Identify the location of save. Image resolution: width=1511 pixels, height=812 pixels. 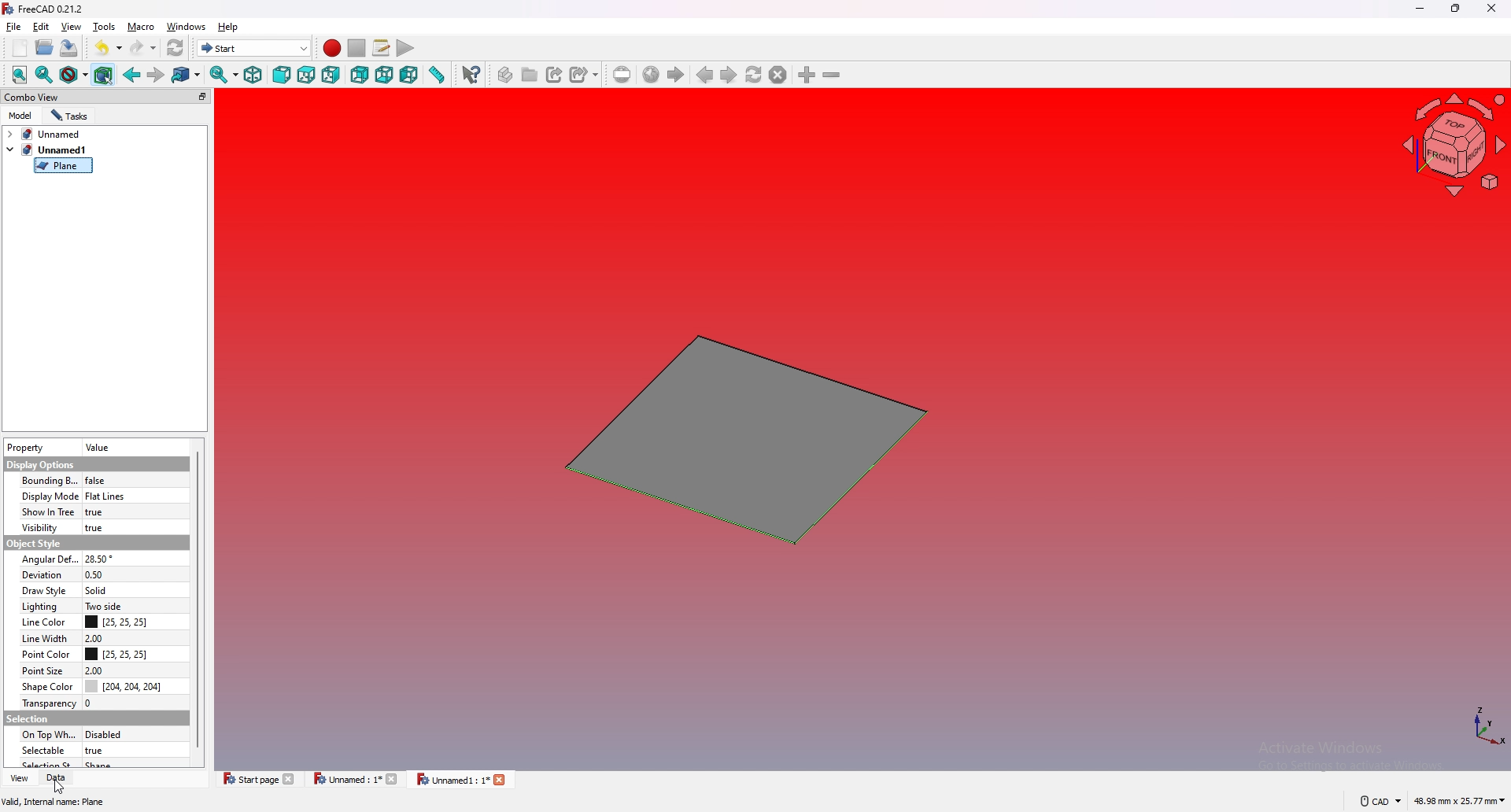
(68, 49).